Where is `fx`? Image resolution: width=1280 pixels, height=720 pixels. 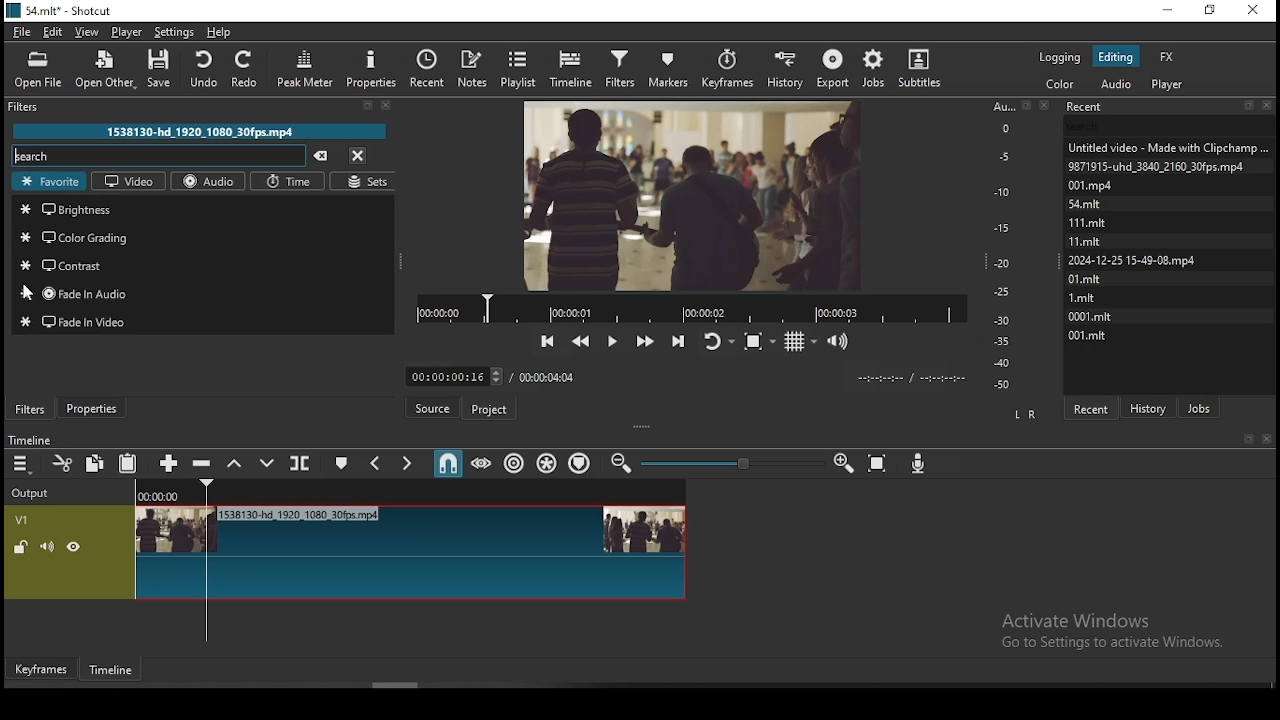 fx is located at coordinates (1167, 56).